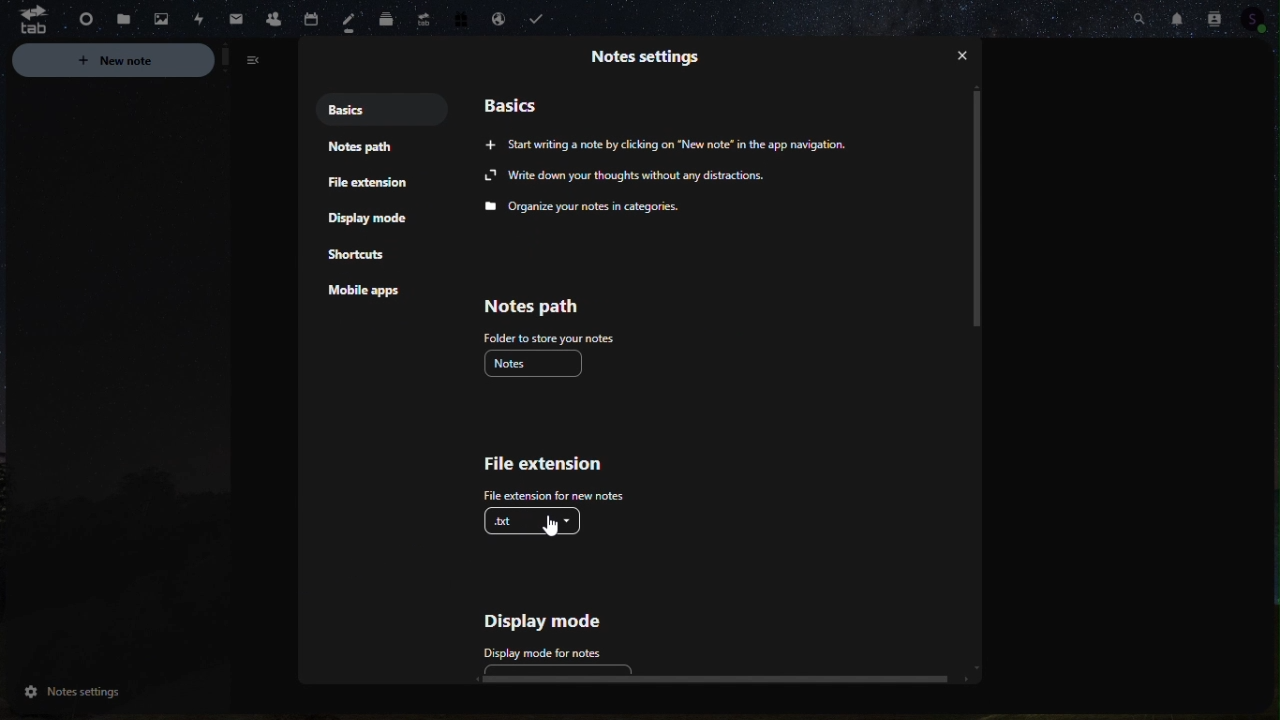  What do you see at coordinates (538, 528) in the screenshot?
I see `.txt` at bounding box center [538, 528].